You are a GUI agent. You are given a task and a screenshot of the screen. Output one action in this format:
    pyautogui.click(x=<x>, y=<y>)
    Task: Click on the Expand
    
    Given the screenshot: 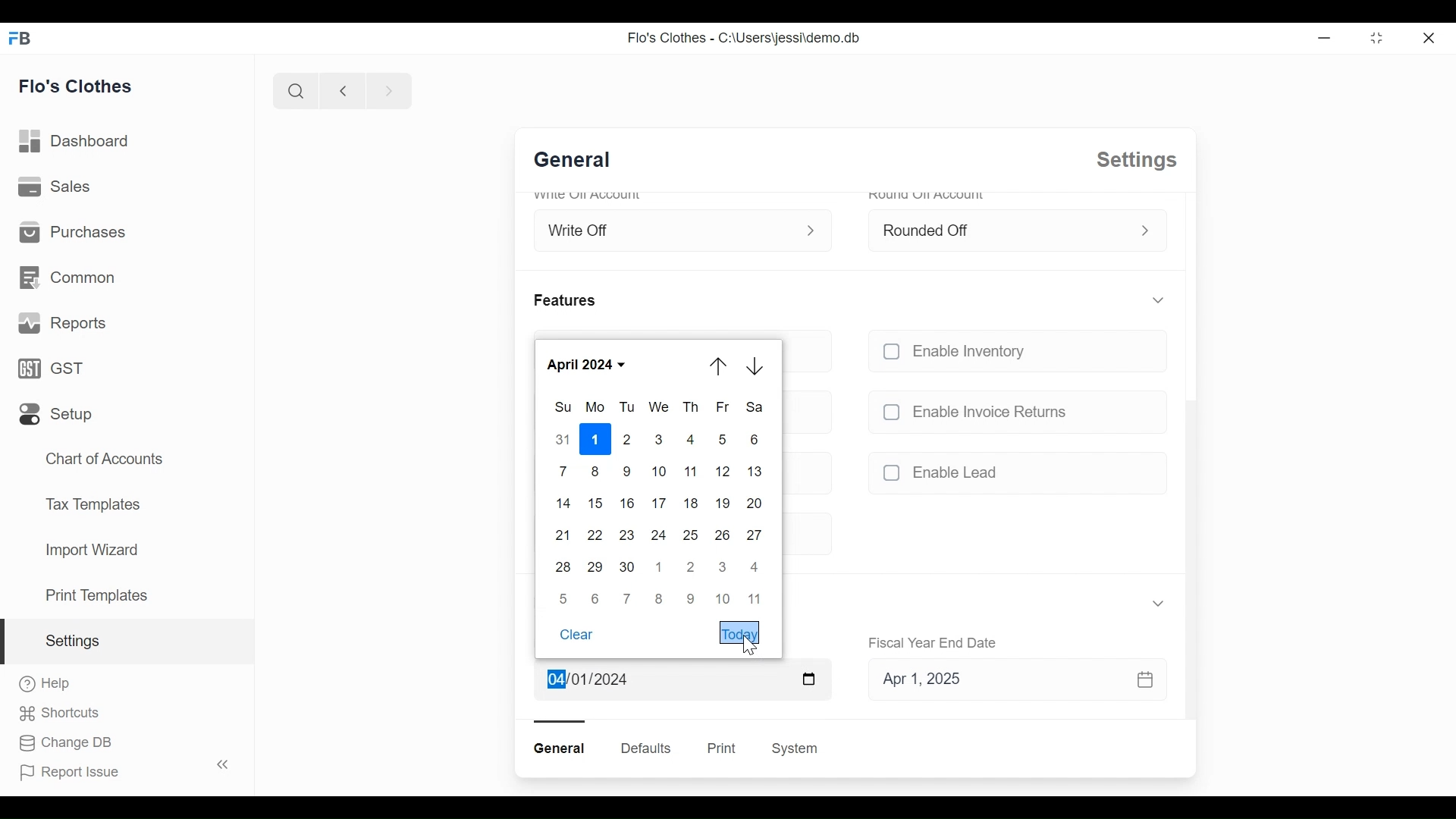 What is the action you would take?
    pyautogui.click(x=1156, y=300)
    